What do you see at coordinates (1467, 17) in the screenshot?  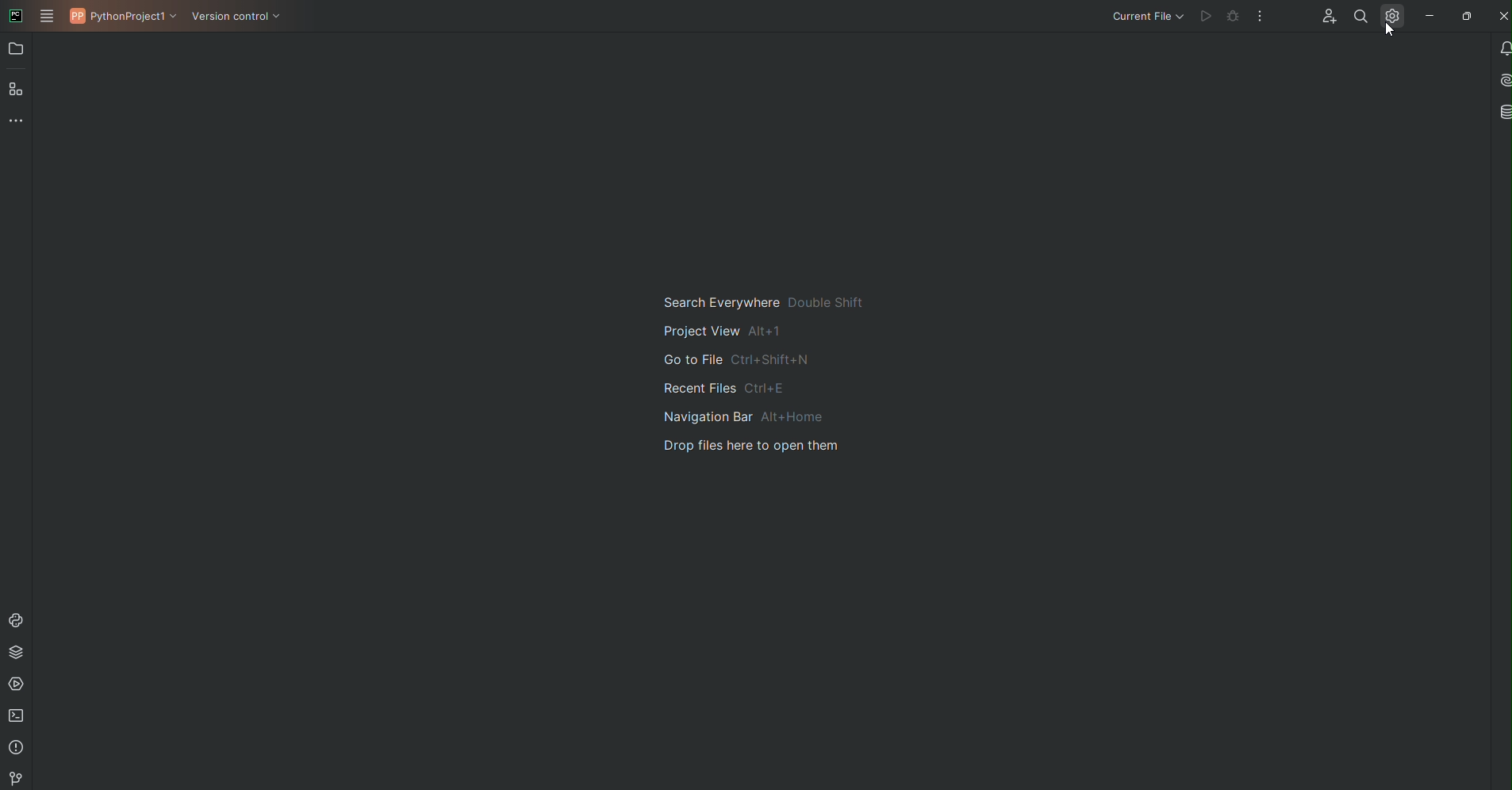 I see `Restore` at bounding box center [1467, 17].